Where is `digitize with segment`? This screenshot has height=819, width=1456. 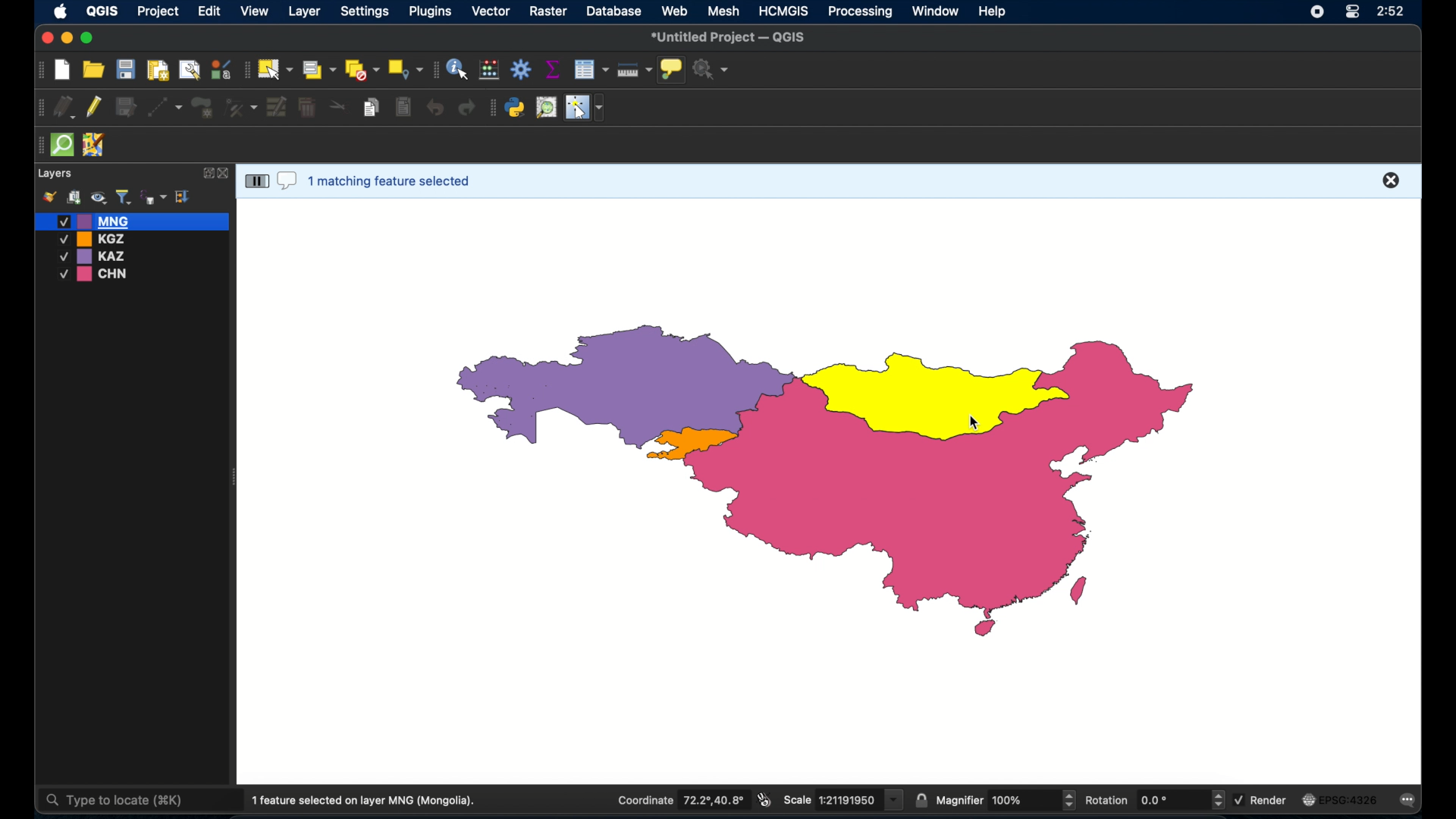 digitize with segment is located at coordinates (165, 106).